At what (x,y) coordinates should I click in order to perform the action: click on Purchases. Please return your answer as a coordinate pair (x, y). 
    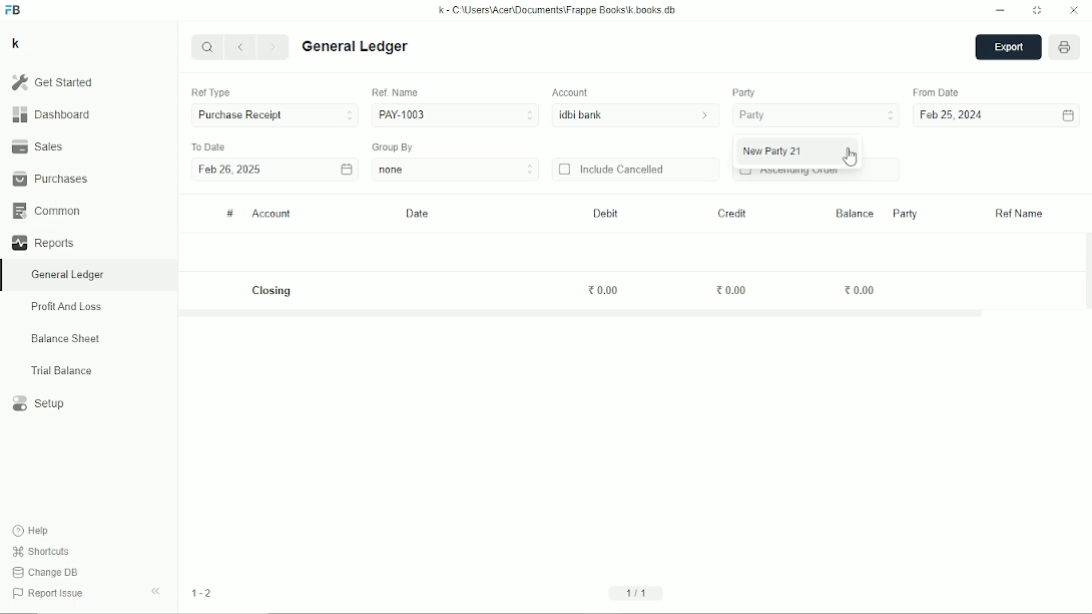
    Looking at the image, I should click on (50, 178).